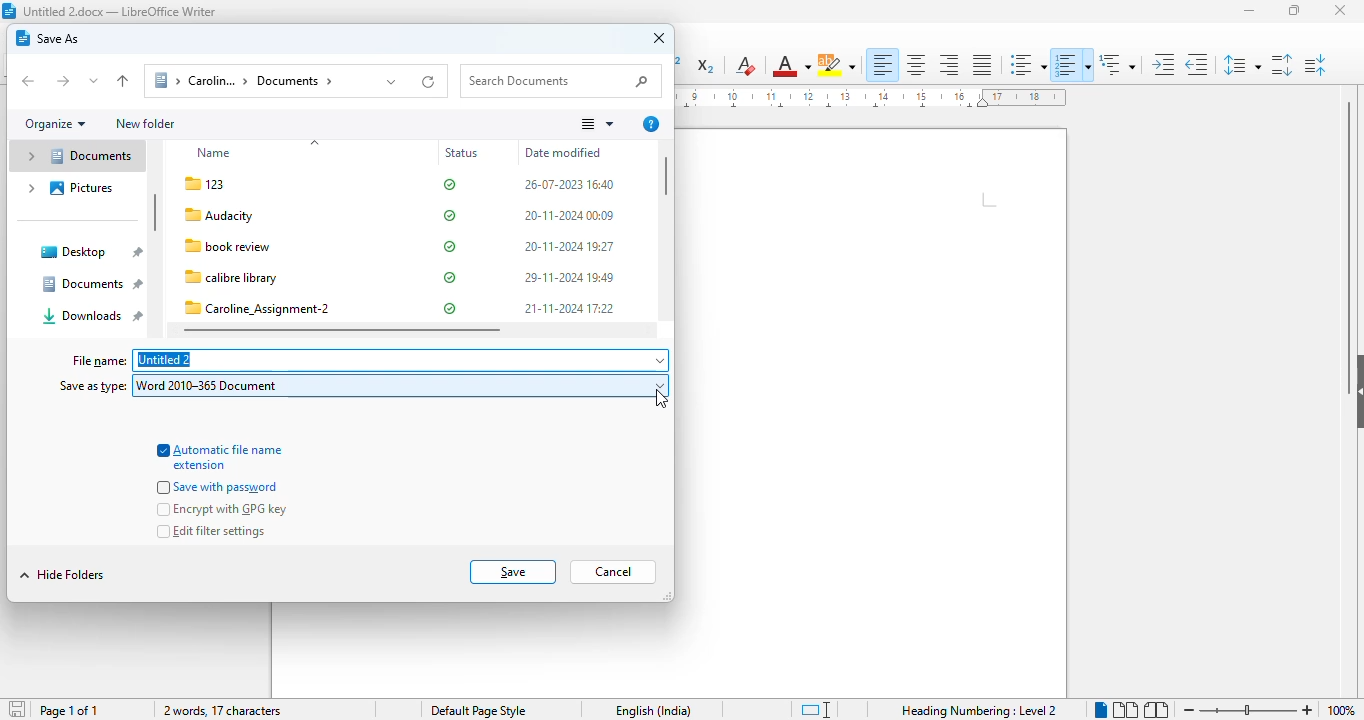 This screenshot has width=1364, height=720. I want to click on downloads, so click(92, 316).